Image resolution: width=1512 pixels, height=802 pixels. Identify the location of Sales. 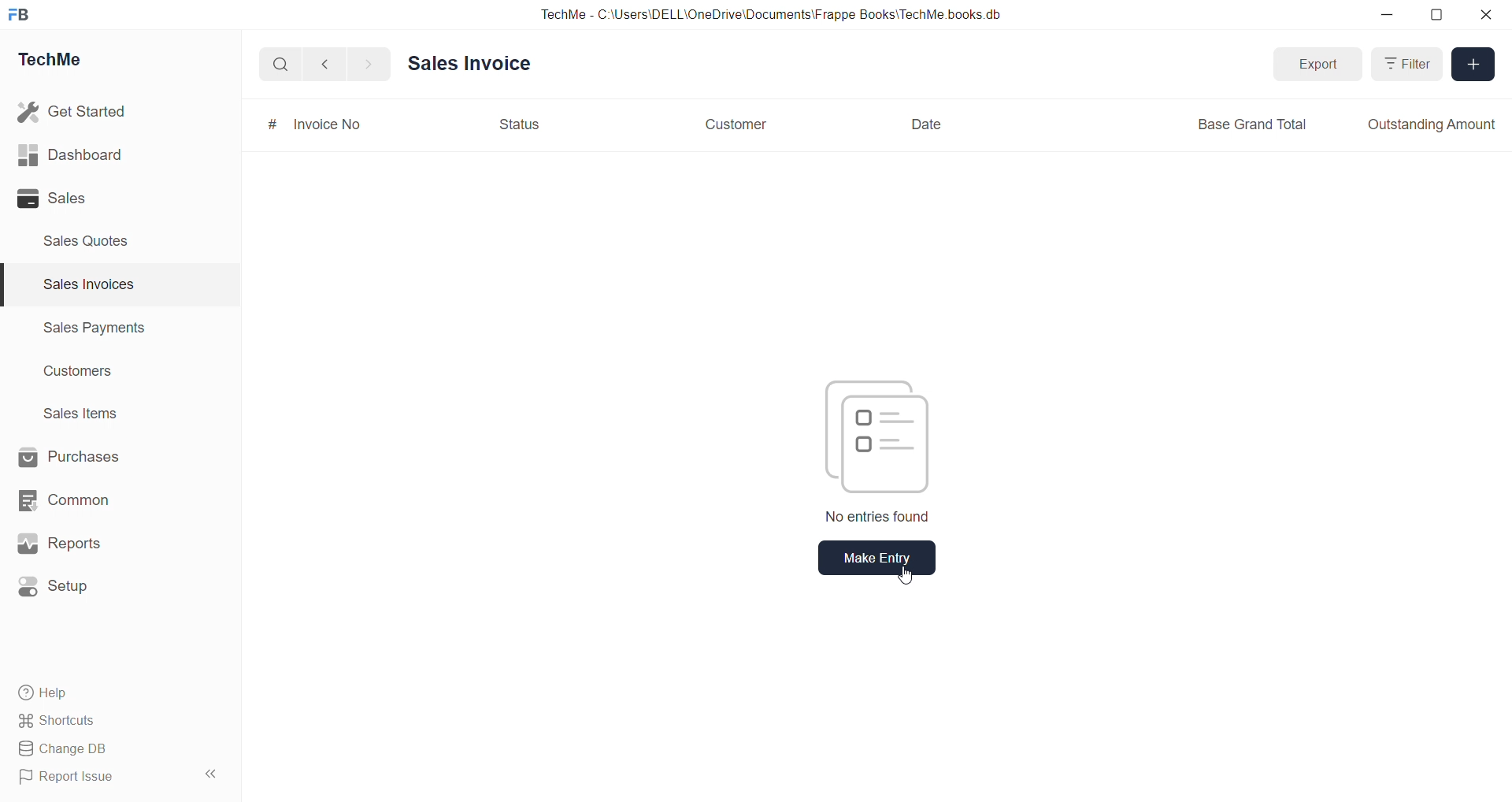
(52, 198).